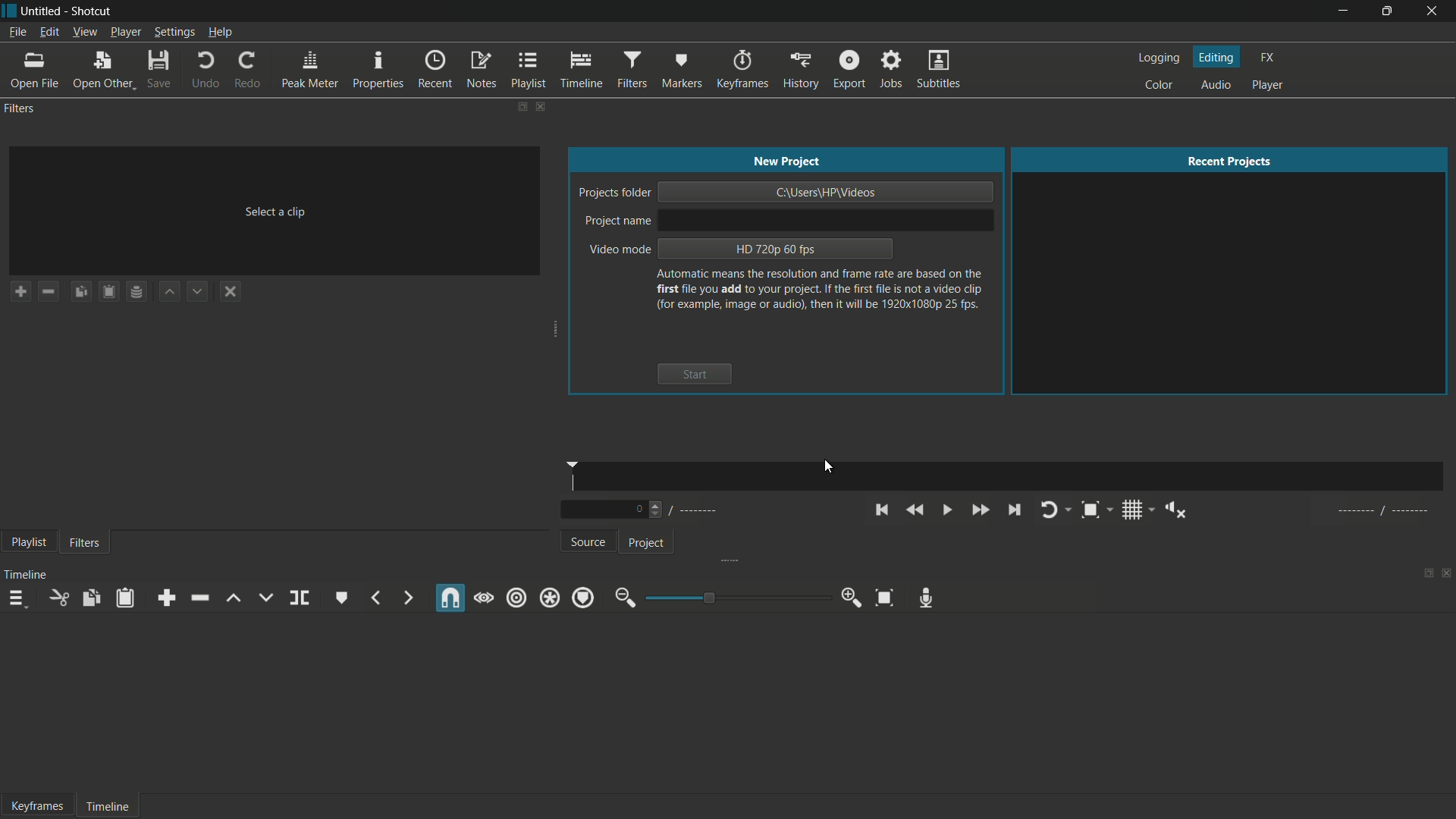 The height and width of the screenshot is (819, 1456). What do you see at coordinates (301, 598) in the screenshot?
I see `split at playhead` at bounding box center [301, 598].